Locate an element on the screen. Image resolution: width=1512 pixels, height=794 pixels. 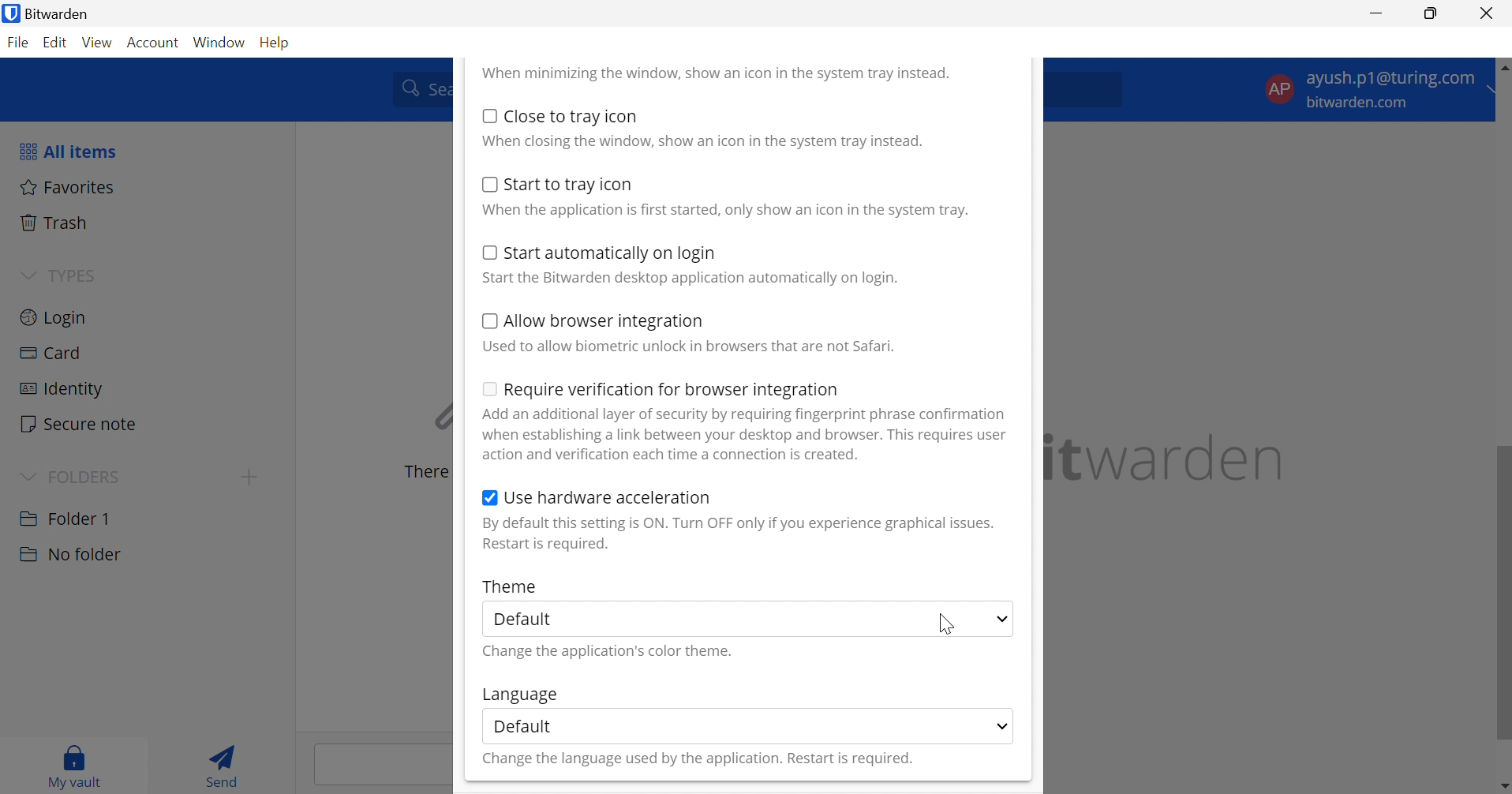
bitwarden.com is located at coordinates (1361, 103).